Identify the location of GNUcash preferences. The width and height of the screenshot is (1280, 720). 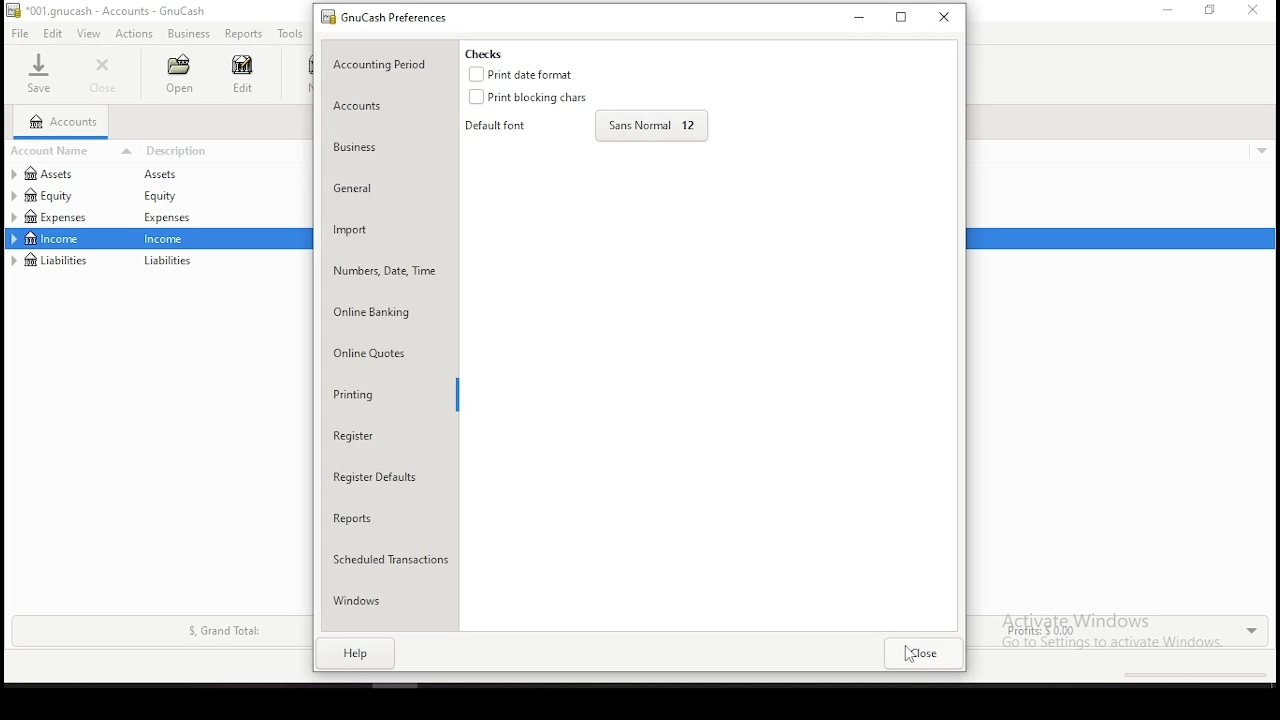
(400, 18).